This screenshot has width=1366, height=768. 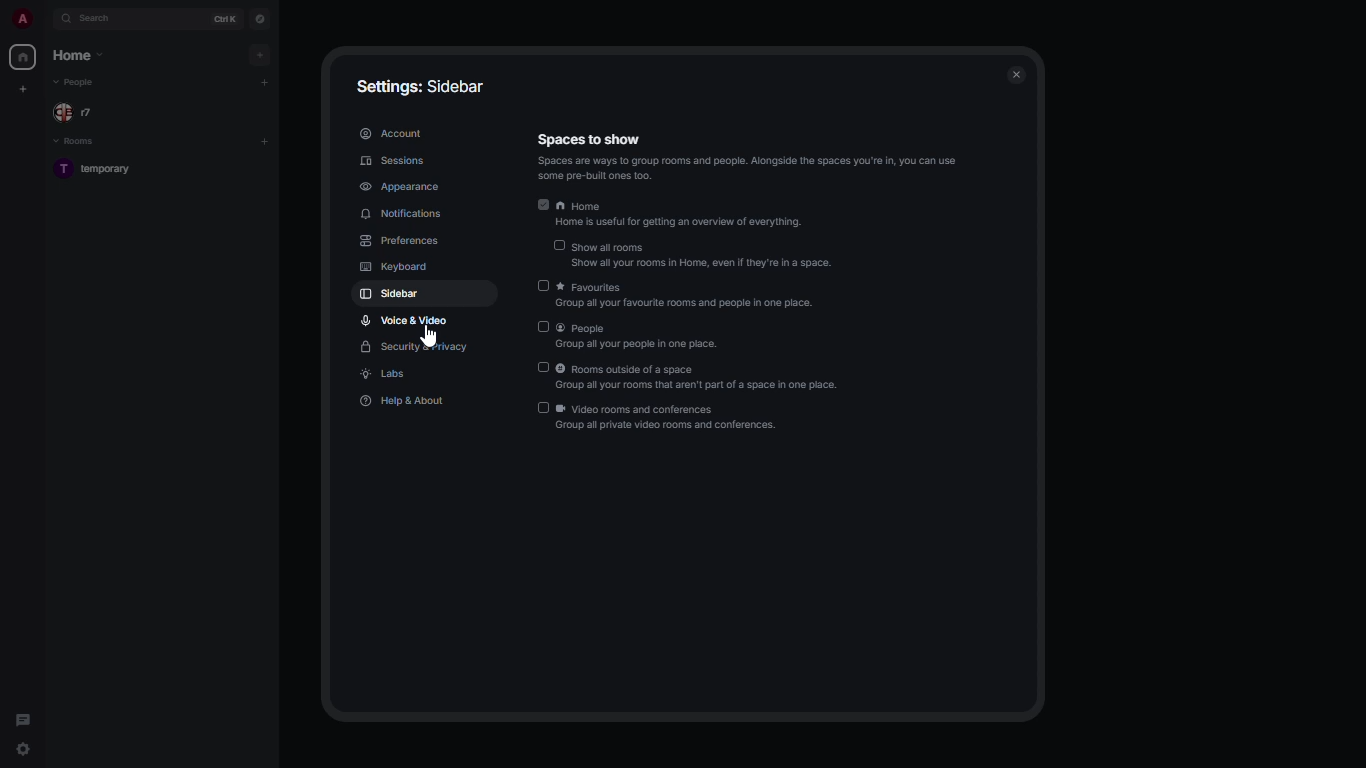 I want to click on people, so click(x=78, y=82).